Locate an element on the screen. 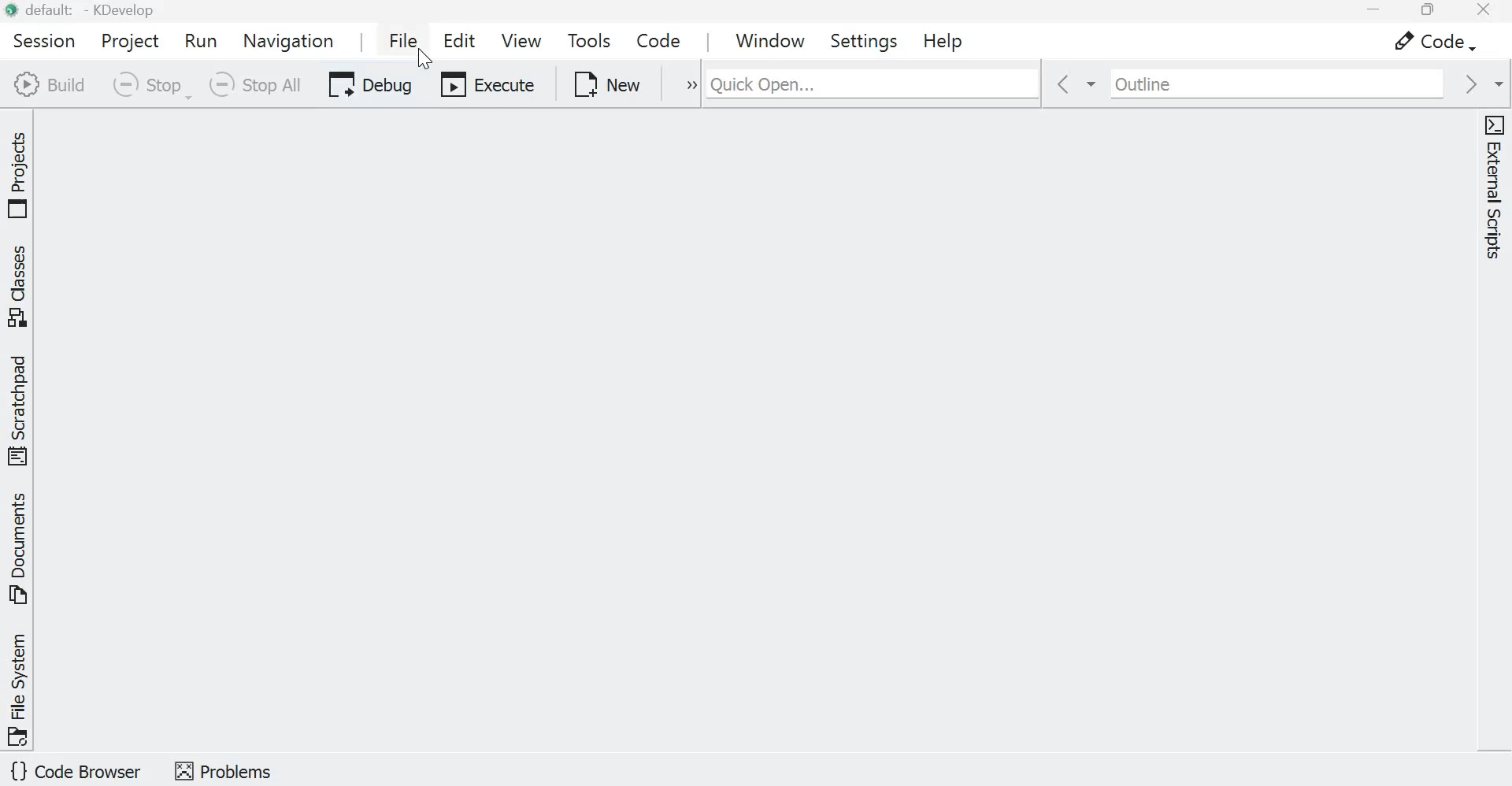  Outline is located at coordinates (1263, 83).